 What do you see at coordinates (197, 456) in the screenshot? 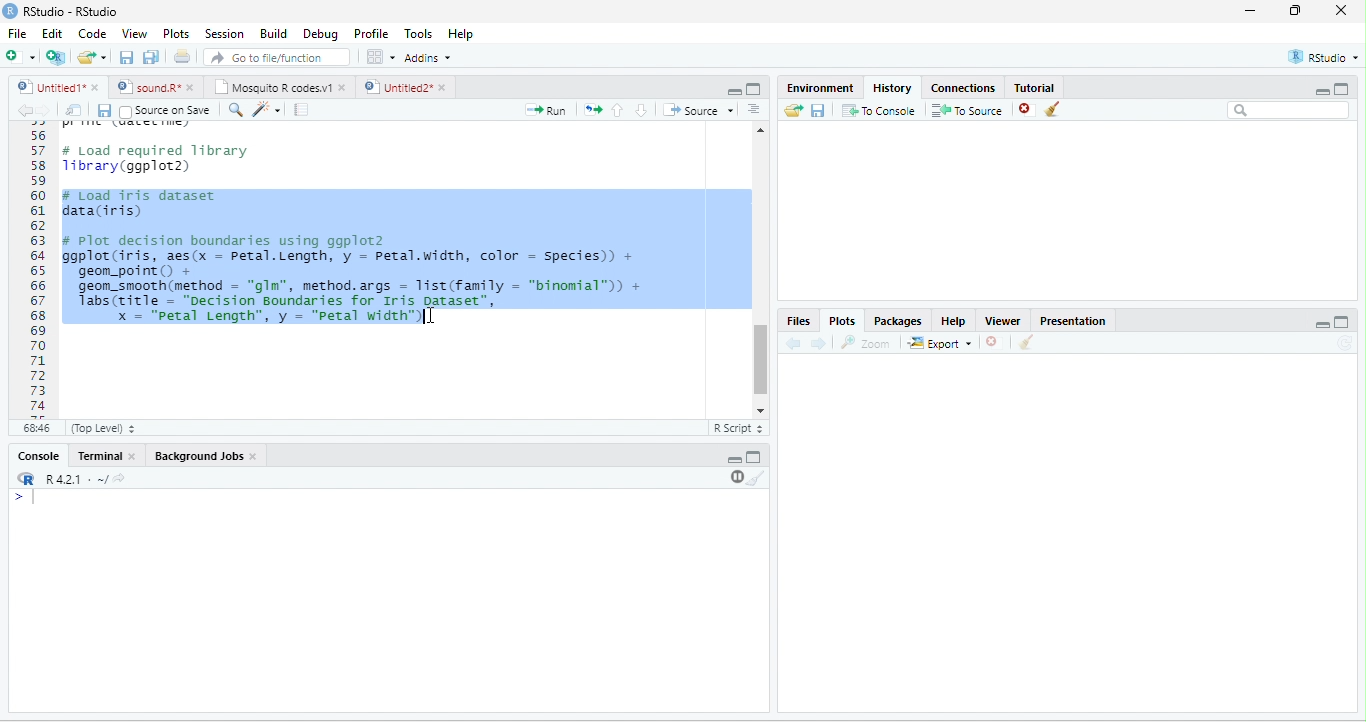
I see `Background Jobs` at bounding box center [197, 456].